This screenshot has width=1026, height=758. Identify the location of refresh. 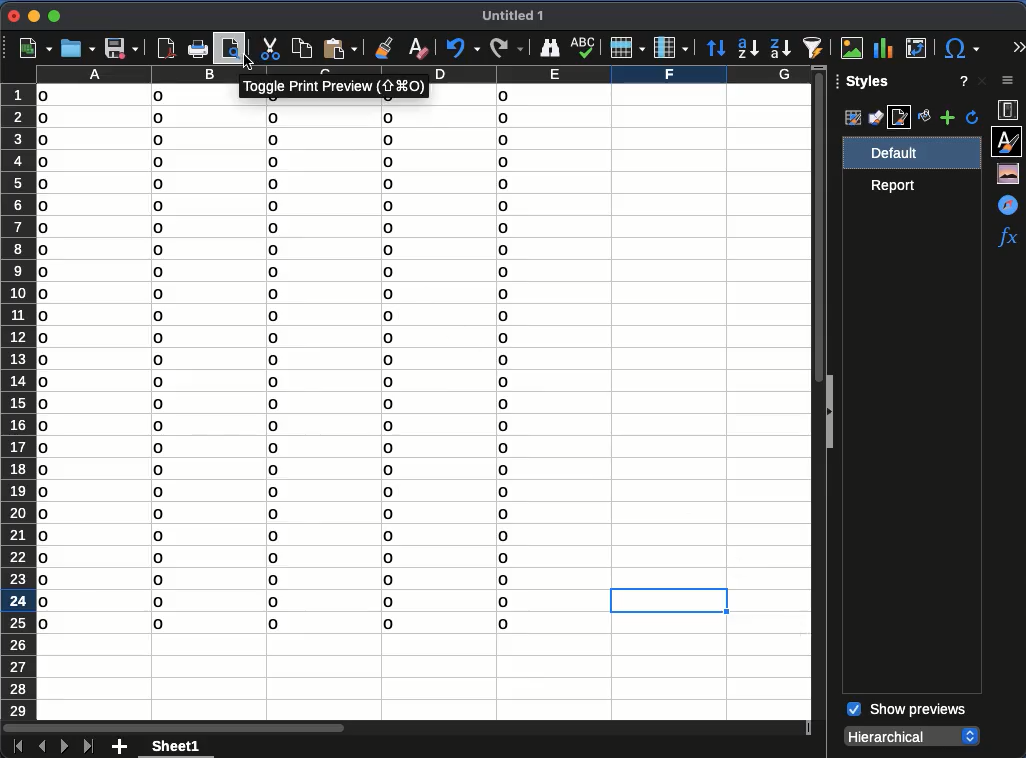
(973, 118).